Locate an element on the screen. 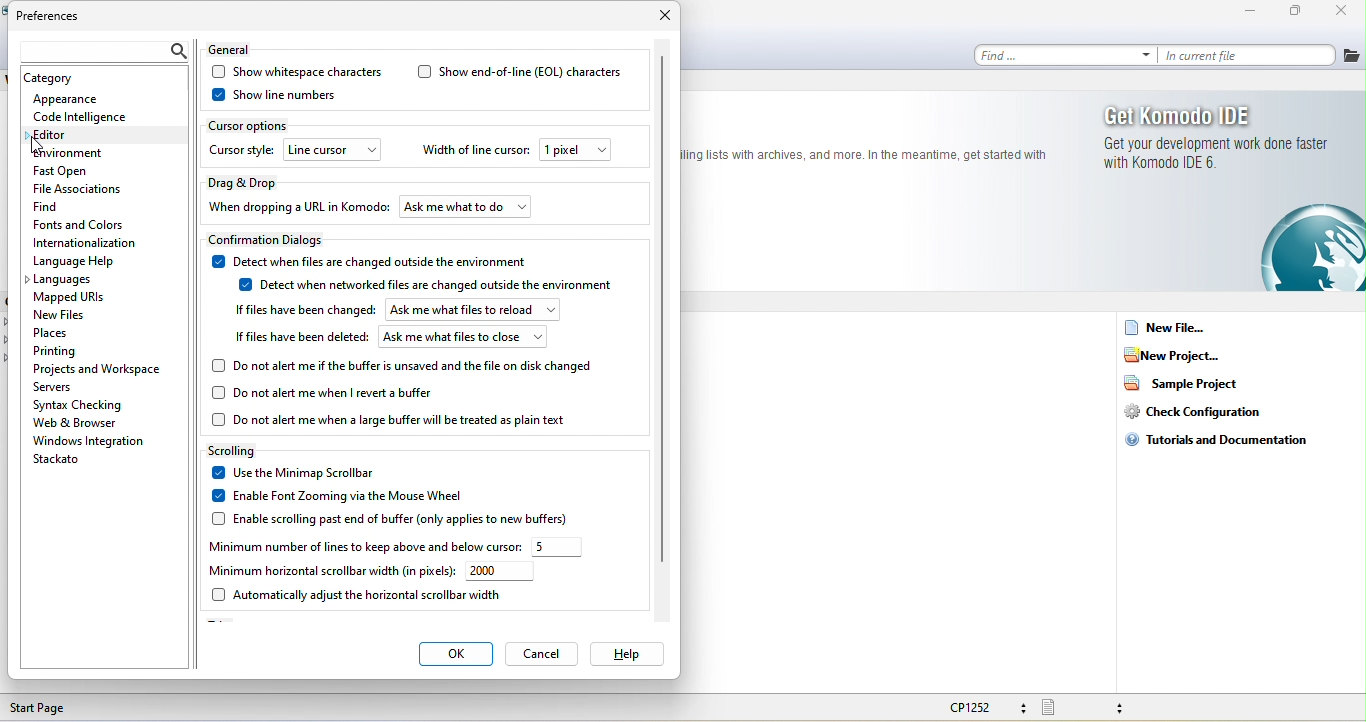 The height and width of the screenshot is (722, 1366). 2000 is located at coordinates (502, 572).